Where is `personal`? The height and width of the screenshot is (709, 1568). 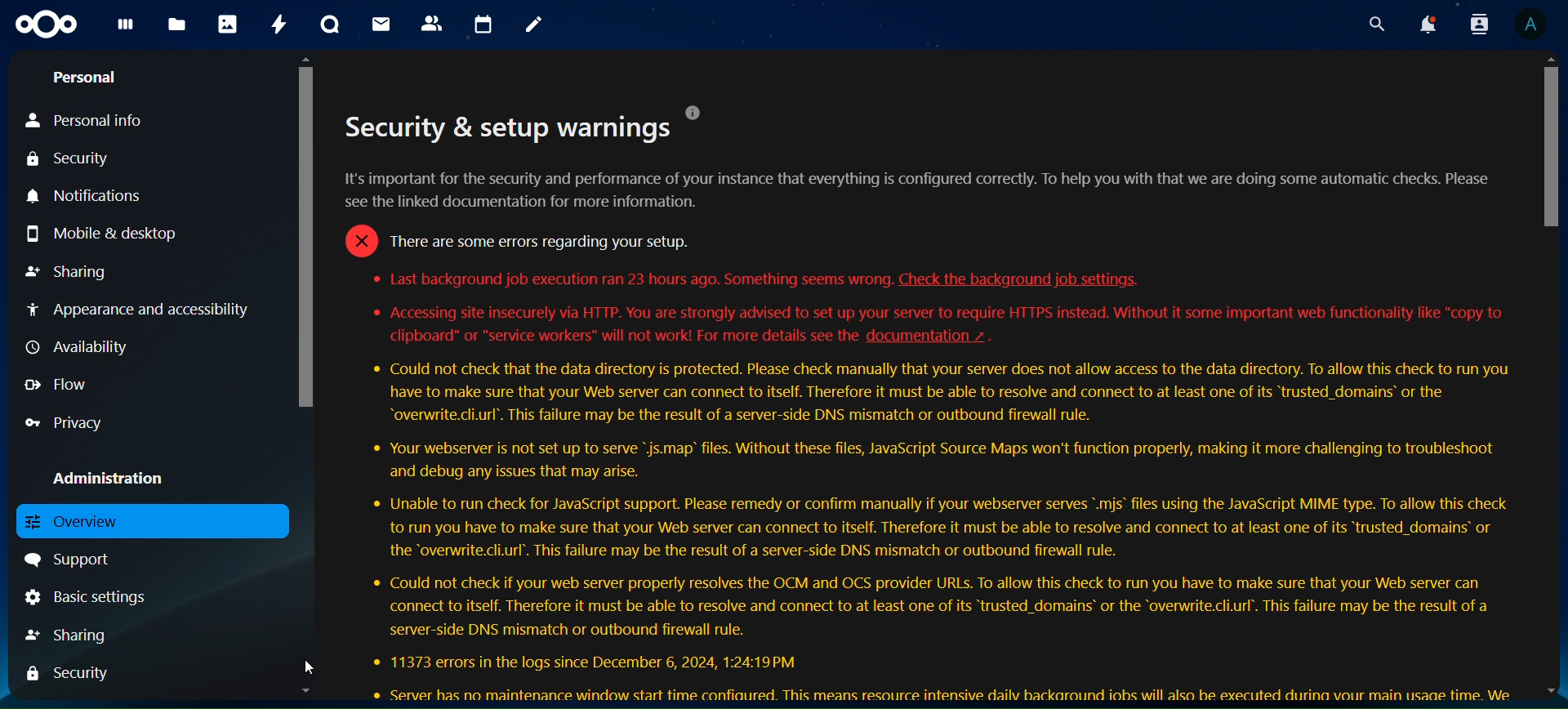
personal is located at coordinates (83, 77).